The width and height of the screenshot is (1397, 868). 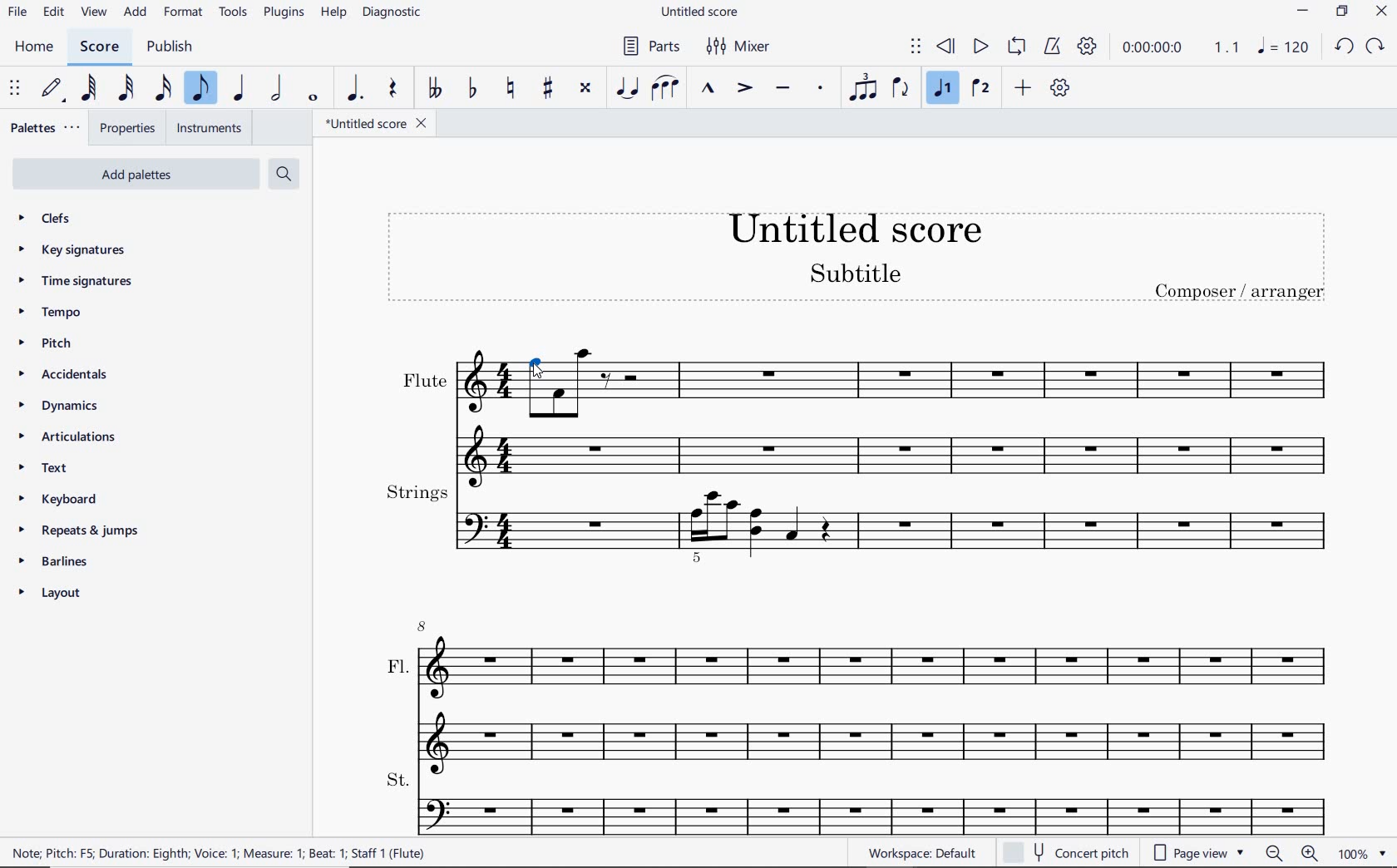 I want to click on text, so click(x=52, y=470).